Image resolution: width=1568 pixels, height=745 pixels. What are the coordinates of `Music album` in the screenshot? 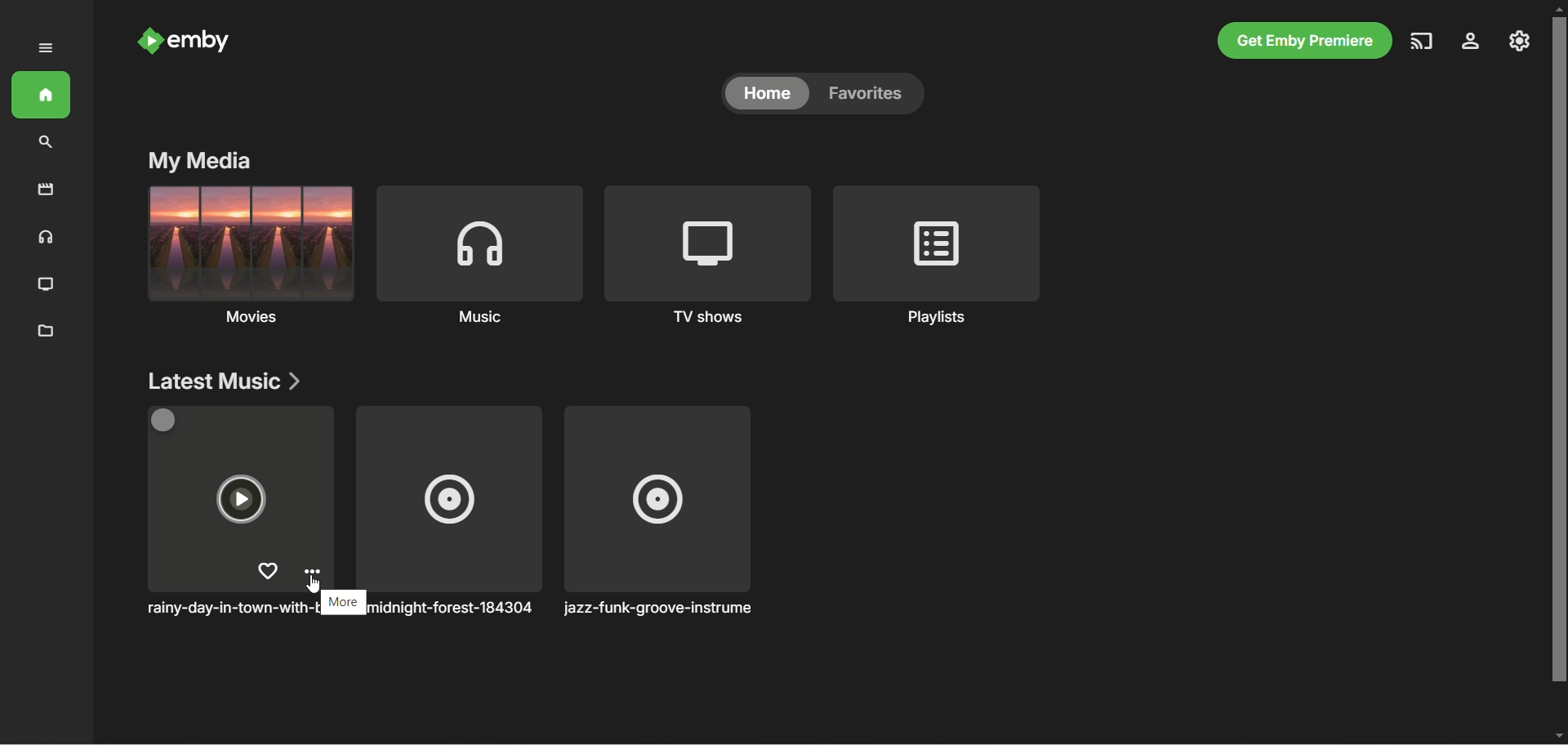 It's located at (195, 573).